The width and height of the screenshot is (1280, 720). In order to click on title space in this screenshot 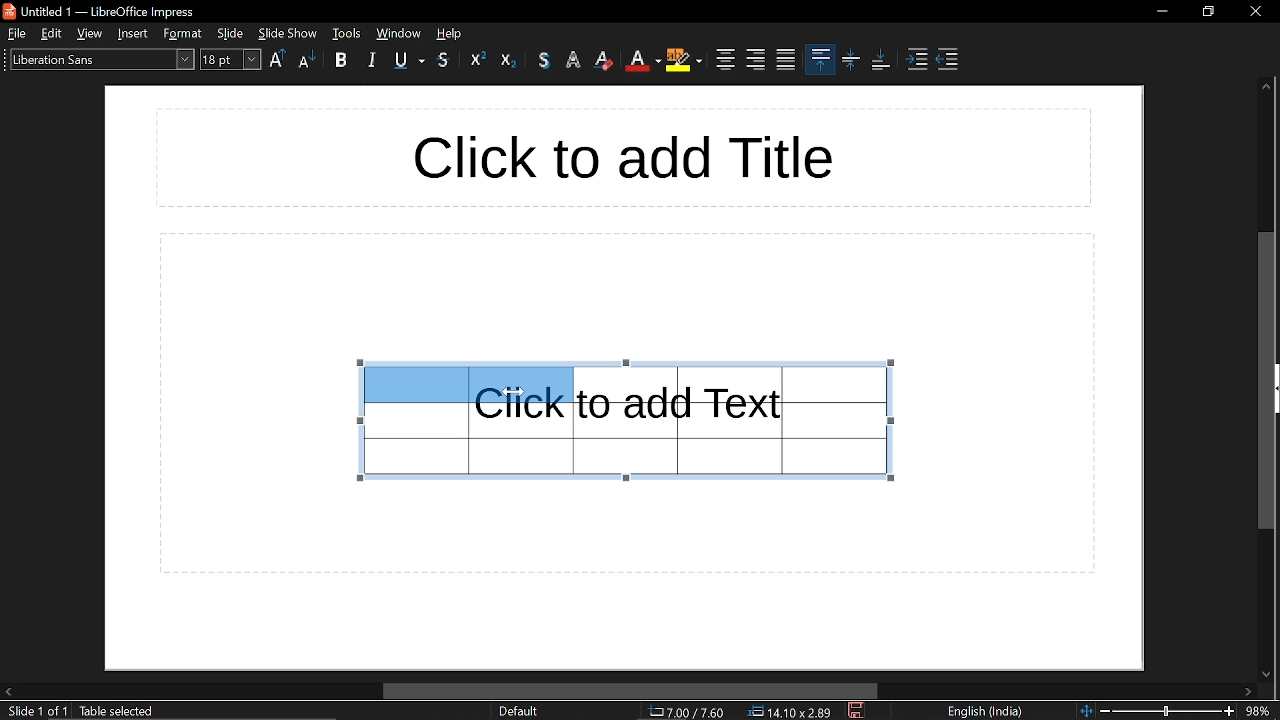, I will do `click(620, 157)`.